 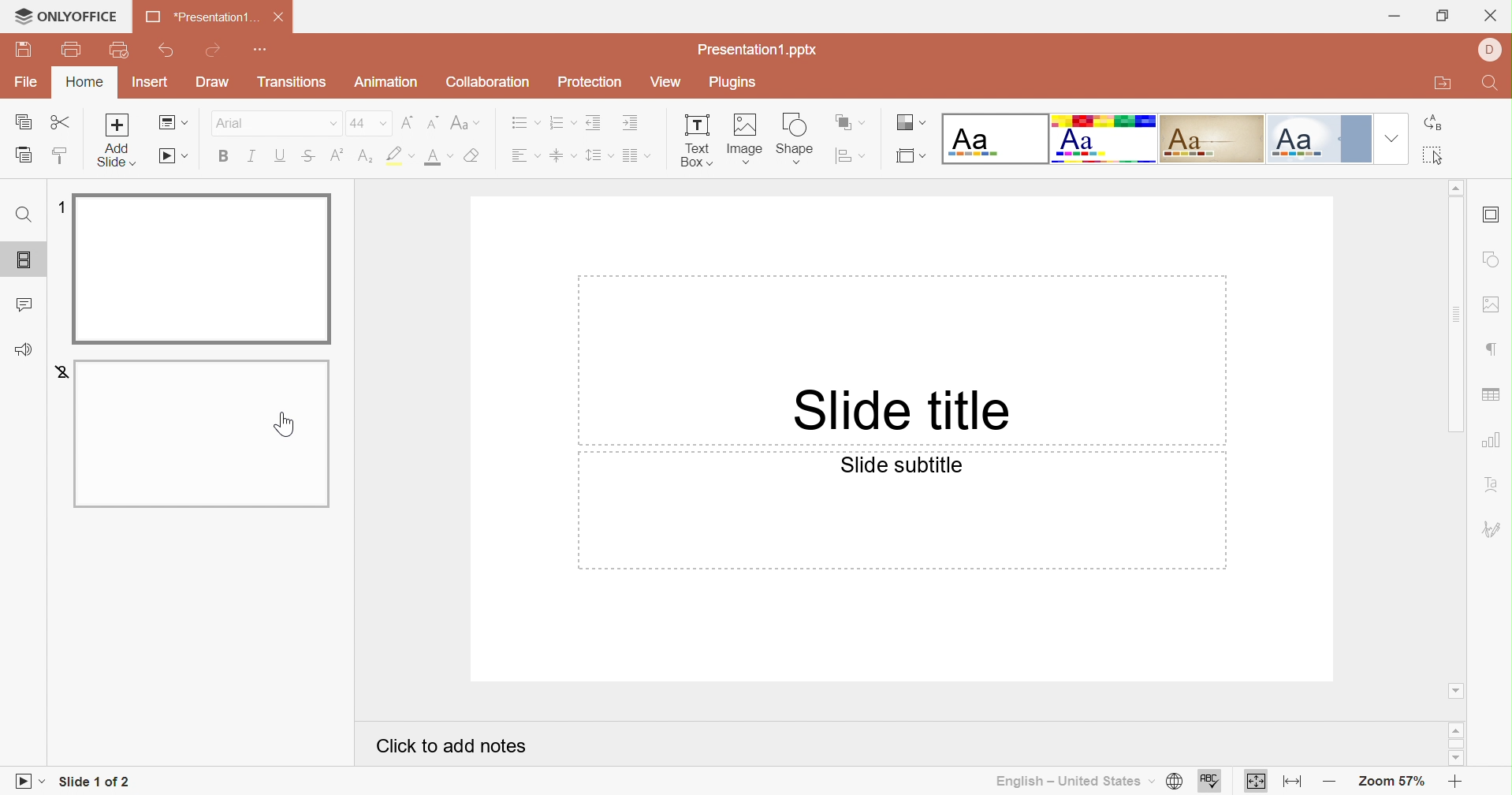 What do you see at coordinates (27, 304) in the screenshot?
I see `Comments` at bounding box center [27, 304].